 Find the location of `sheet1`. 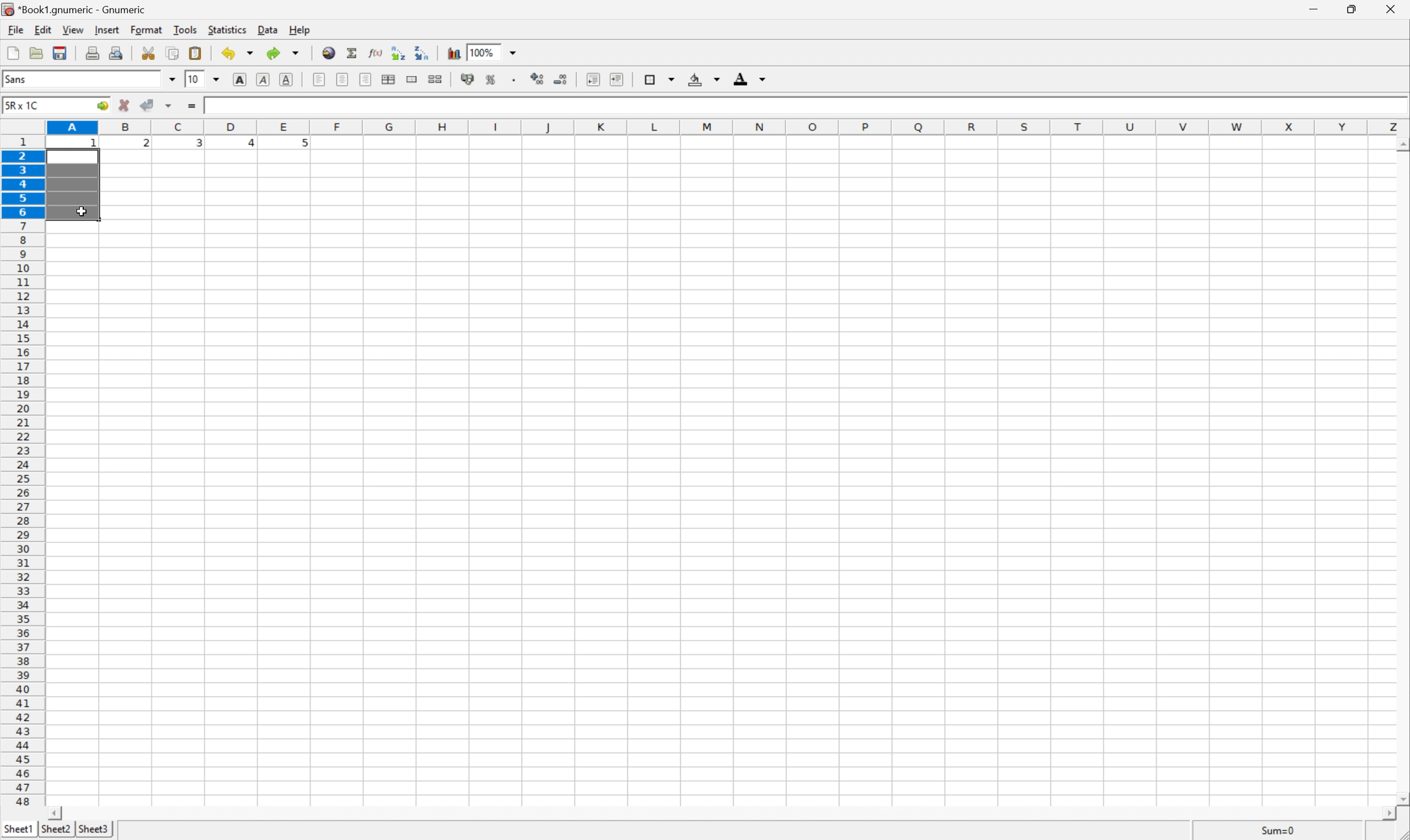

sheet1 is located at coordinates (17, 832).